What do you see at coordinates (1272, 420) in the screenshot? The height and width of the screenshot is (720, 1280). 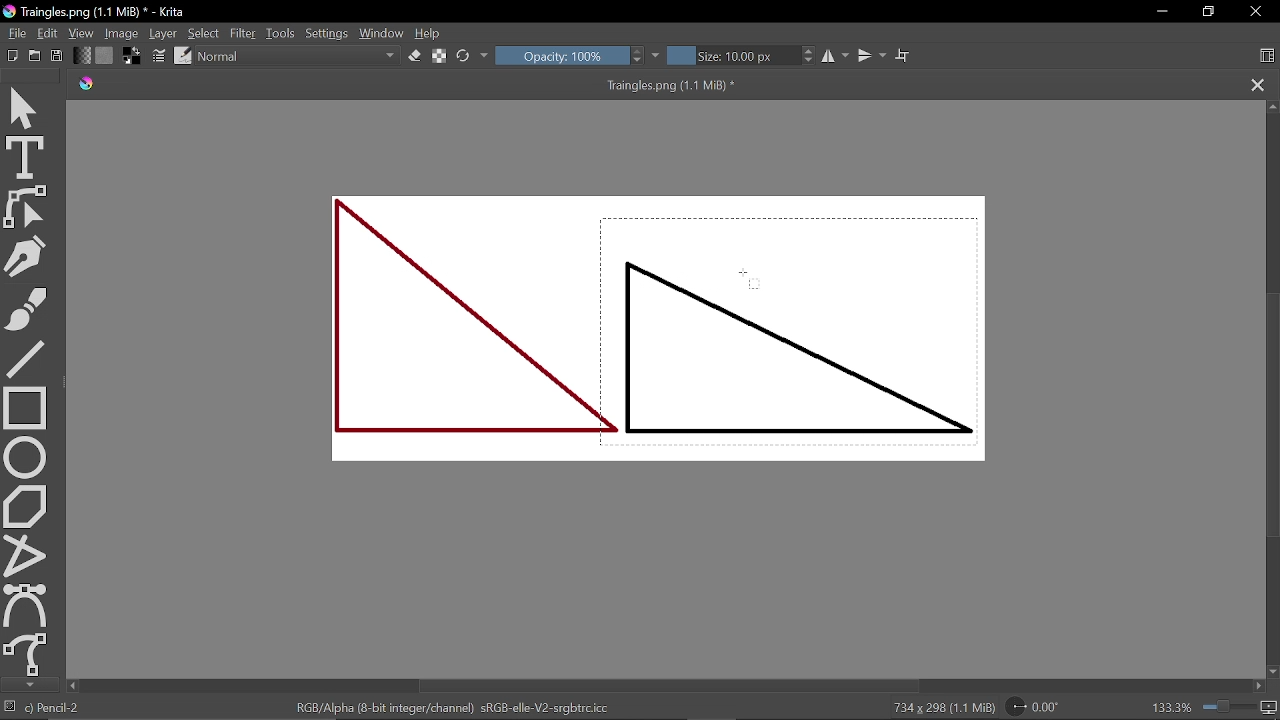 I see `Vertical scrollbar` at bounding box center [1272, 420].